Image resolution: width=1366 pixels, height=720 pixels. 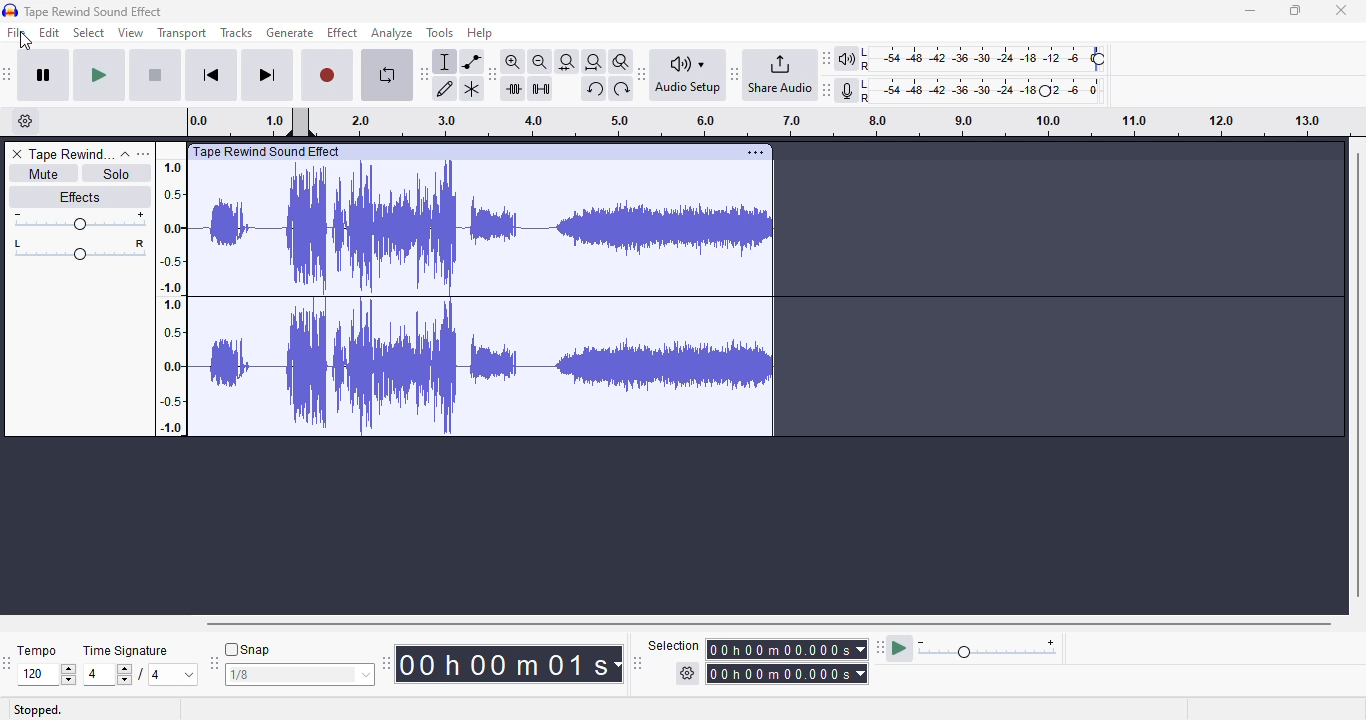 I want to click on effect, so click(x=342, y=32).